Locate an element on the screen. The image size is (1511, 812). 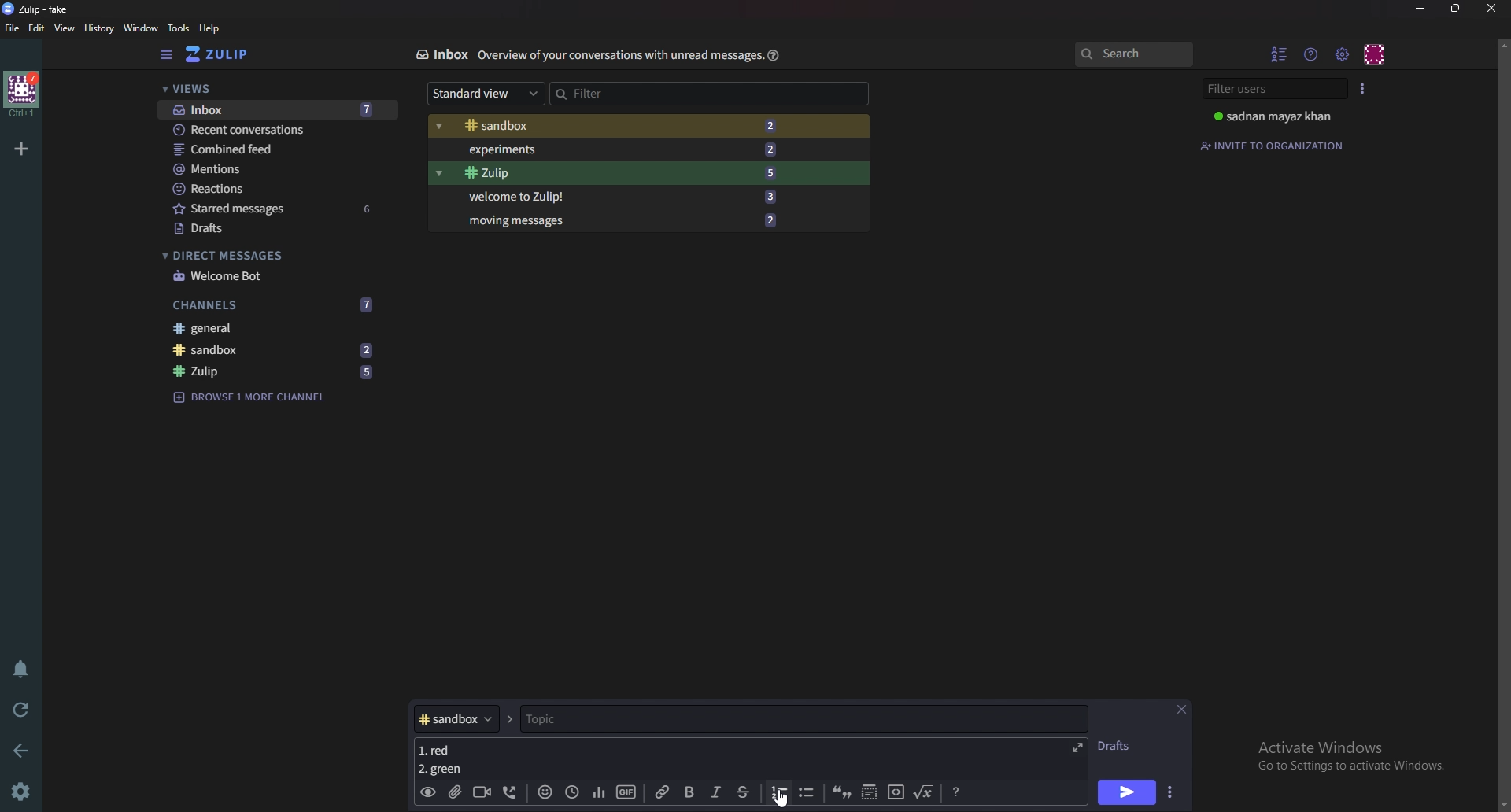
Spoiler is located at coordinates (867, 794).